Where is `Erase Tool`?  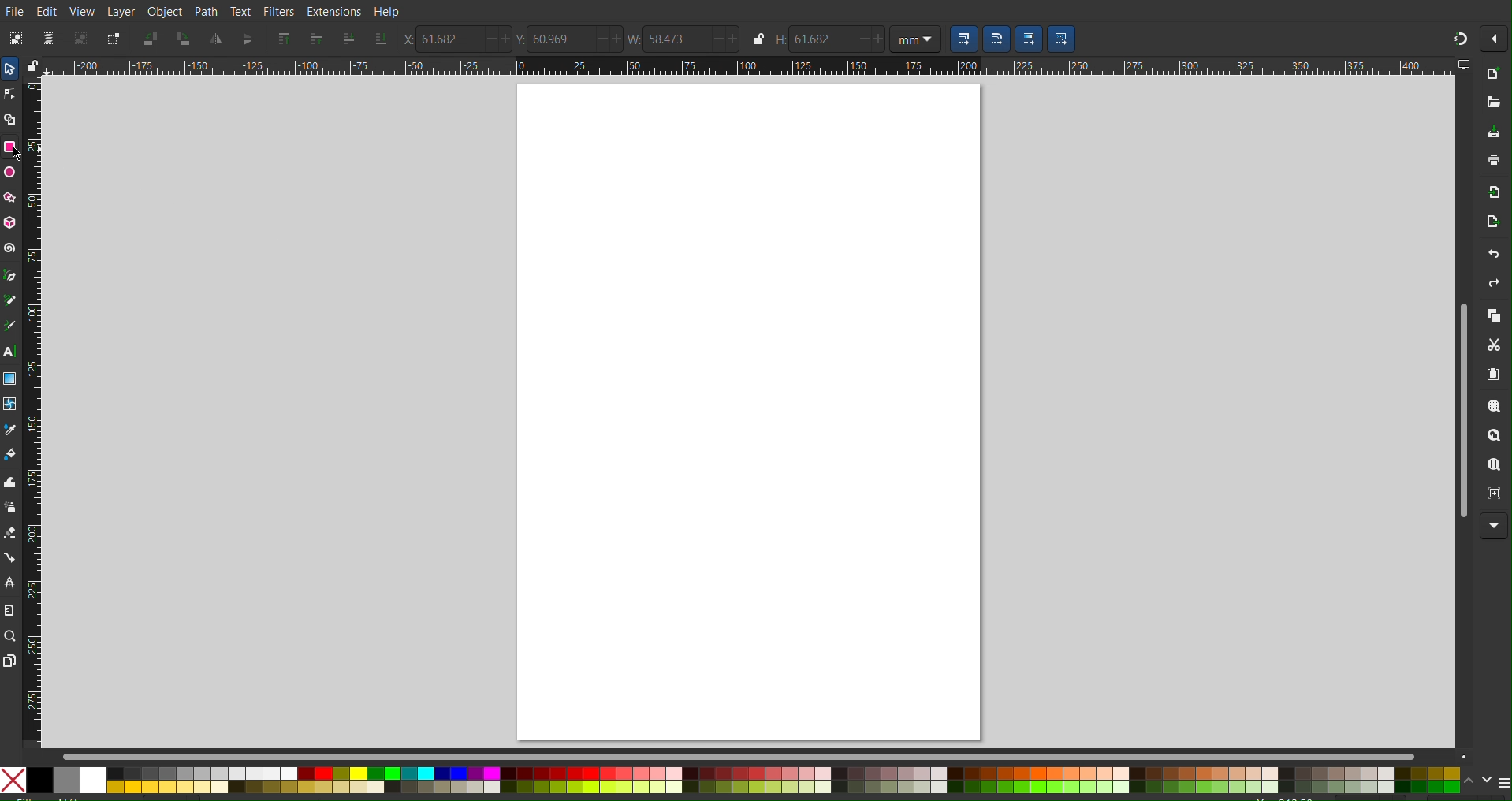 Erase Tool is located at coordinates (9, 535).